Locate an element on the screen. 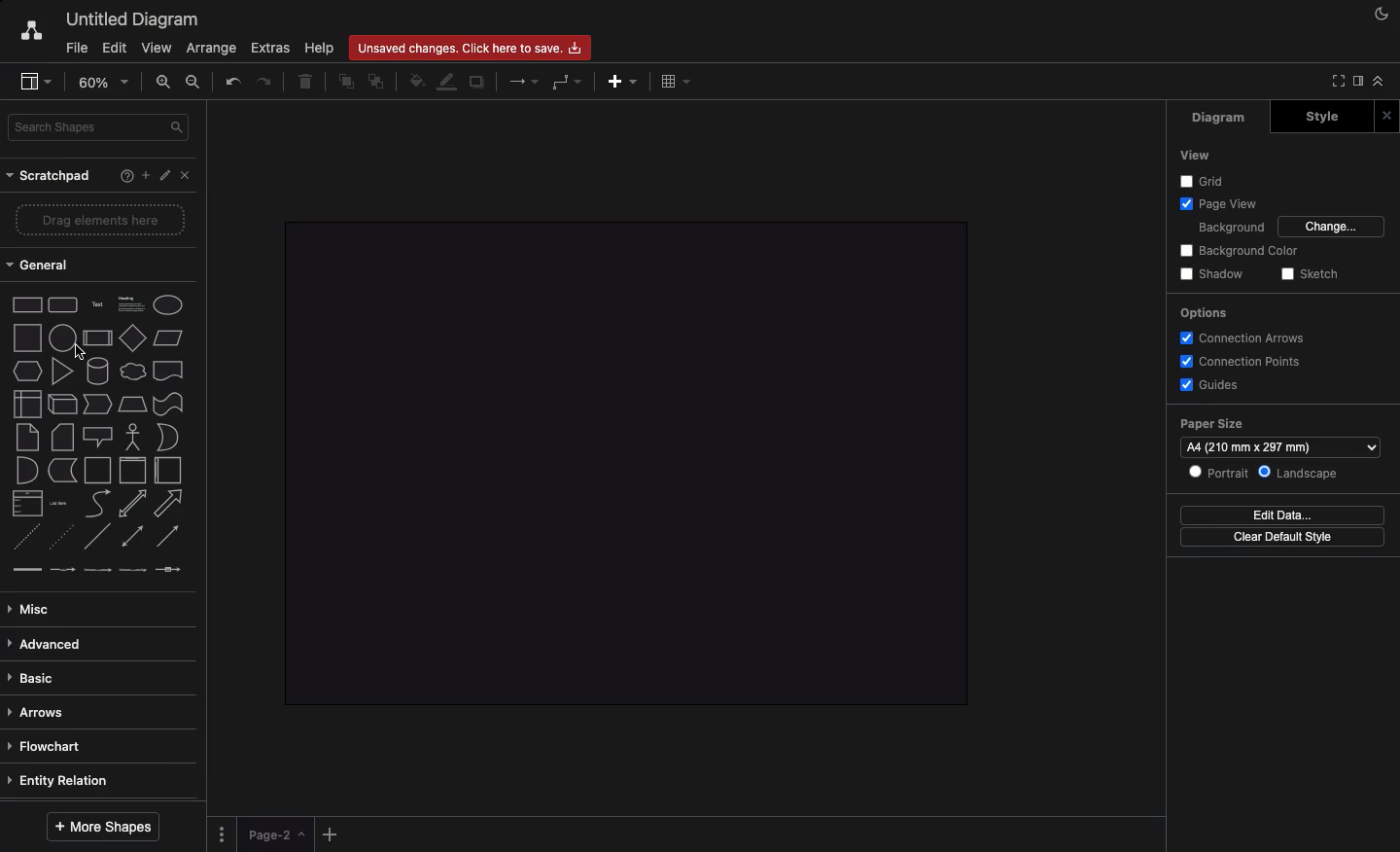 The image size is (1400, 852). Draw.io is located at coordinates (24, 32).